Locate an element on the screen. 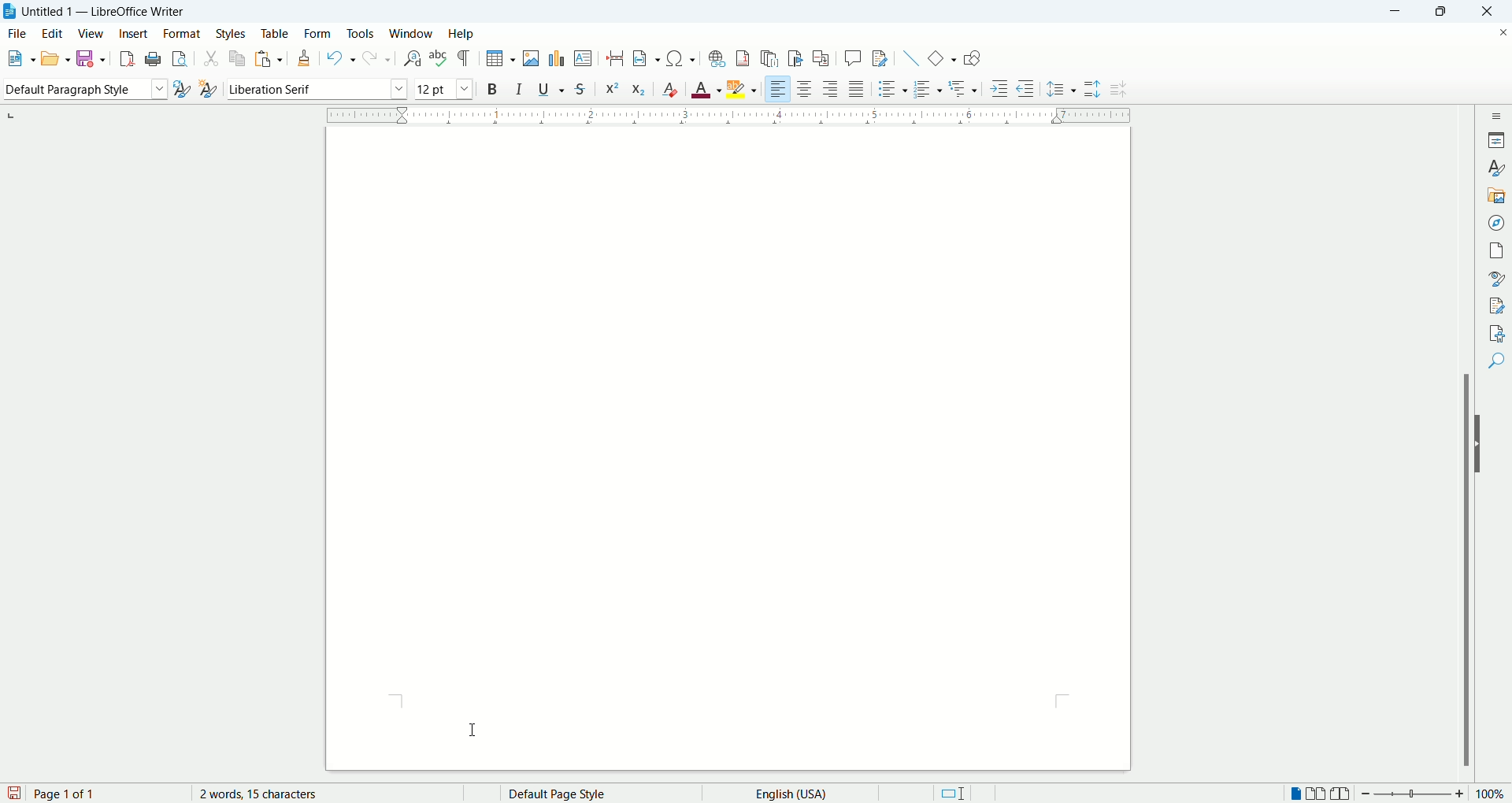  insert table is located at coordinates (501, 59).